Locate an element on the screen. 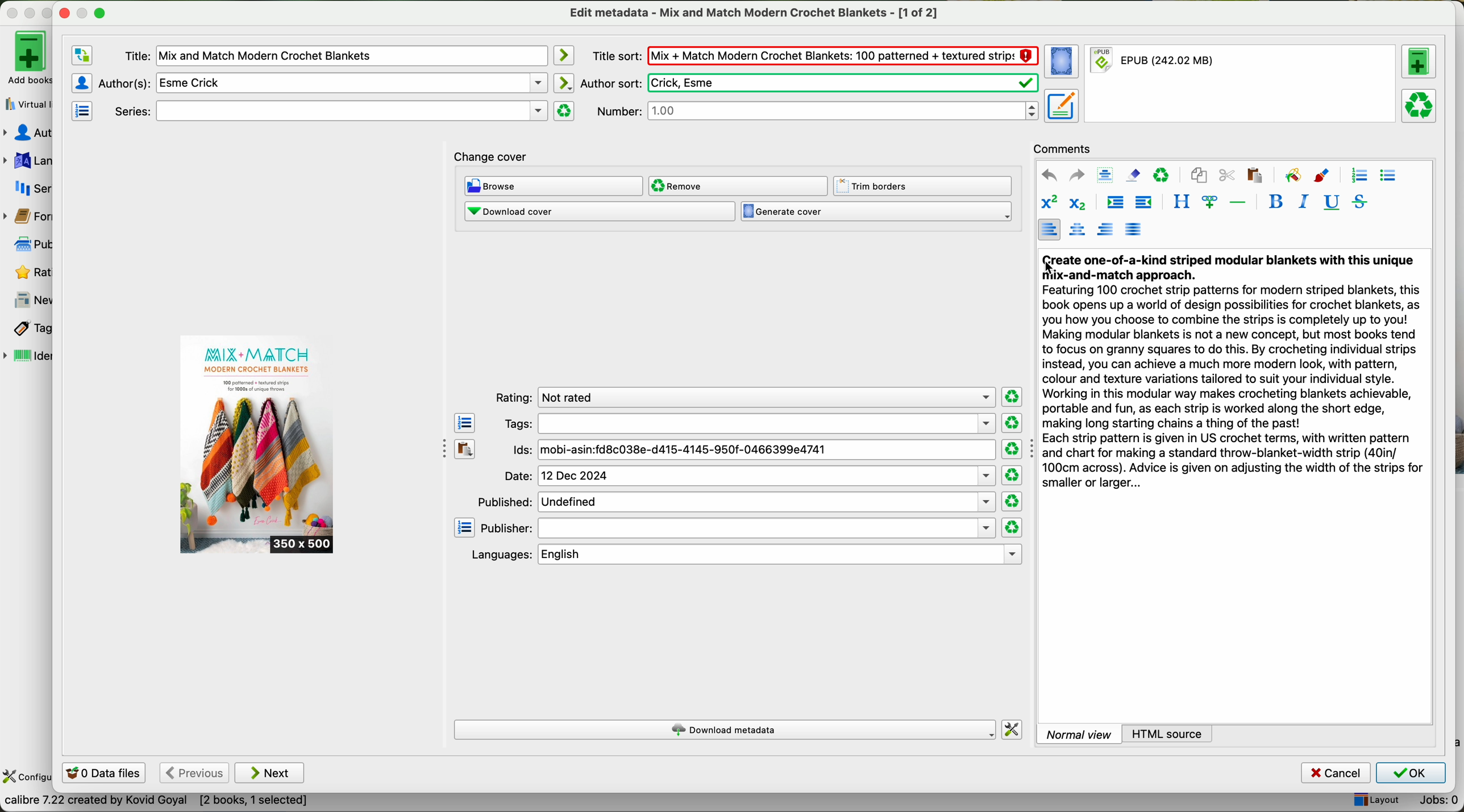 The width and height of the screenshot is (1464, 812). clear rating is located at coordinates (1013, 502).